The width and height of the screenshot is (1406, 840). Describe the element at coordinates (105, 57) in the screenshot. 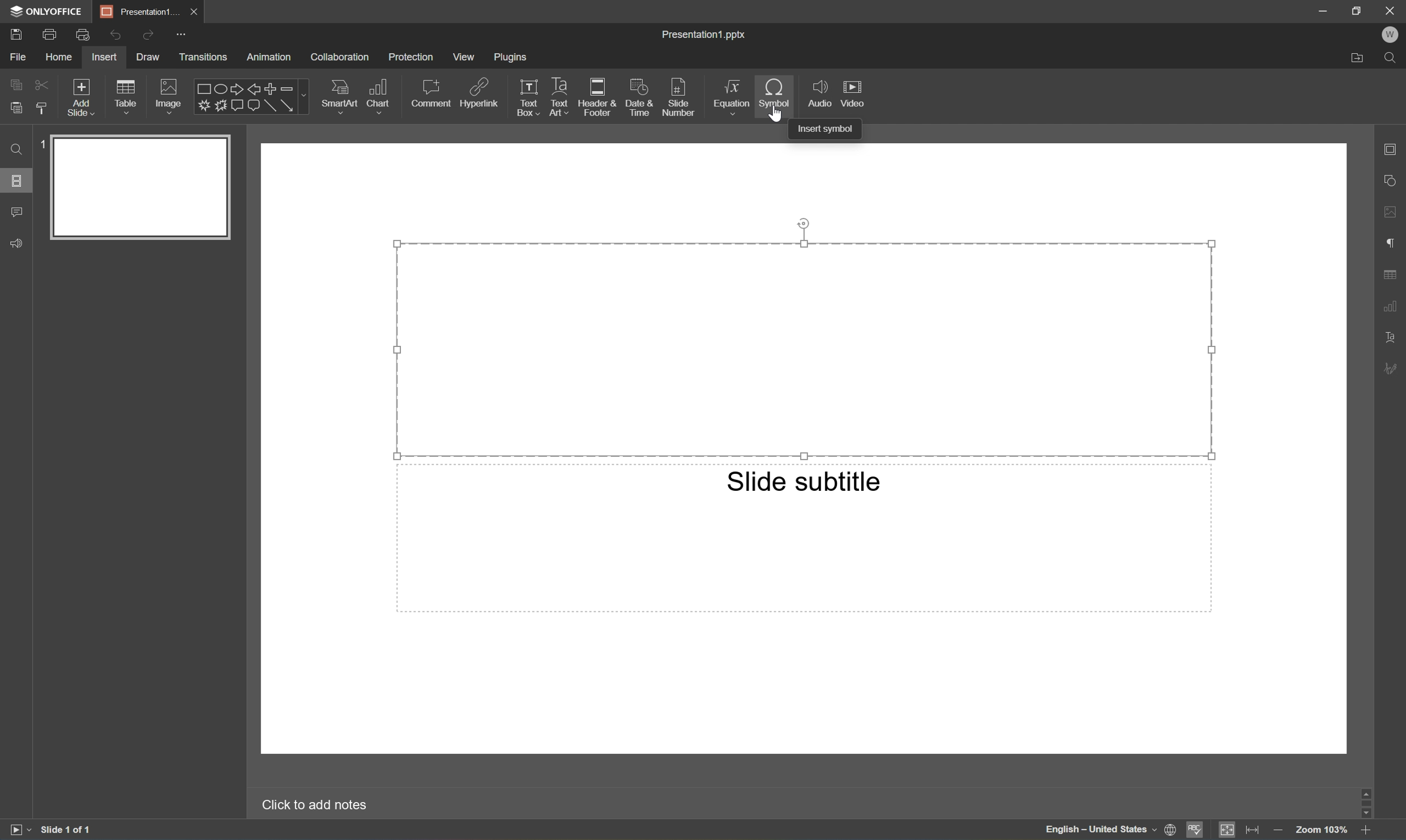

I see `Insert` at that location.